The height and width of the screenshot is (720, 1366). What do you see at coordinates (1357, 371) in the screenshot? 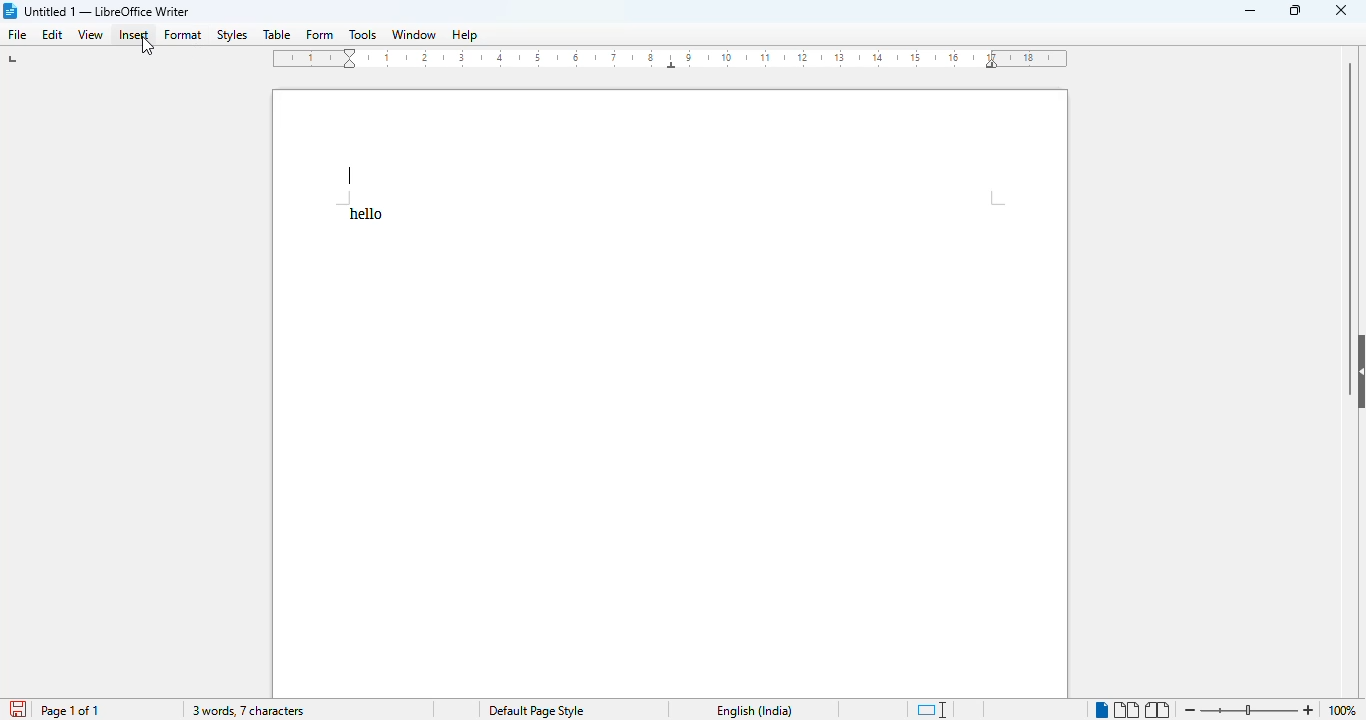
I see `show` at bounding box center [1357, 371].